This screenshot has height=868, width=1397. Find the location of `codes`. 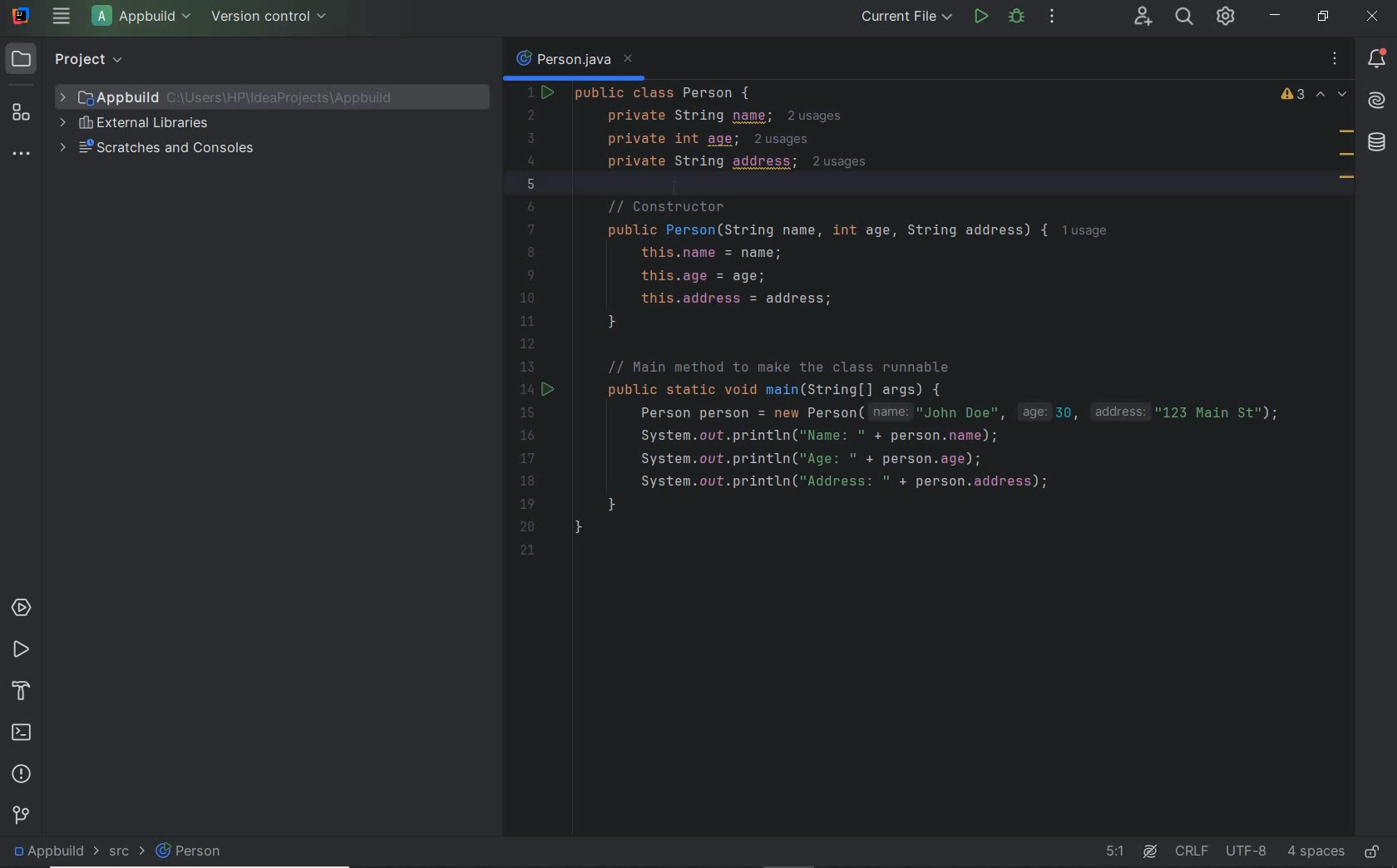

codes is located at coordinates (931, 379).